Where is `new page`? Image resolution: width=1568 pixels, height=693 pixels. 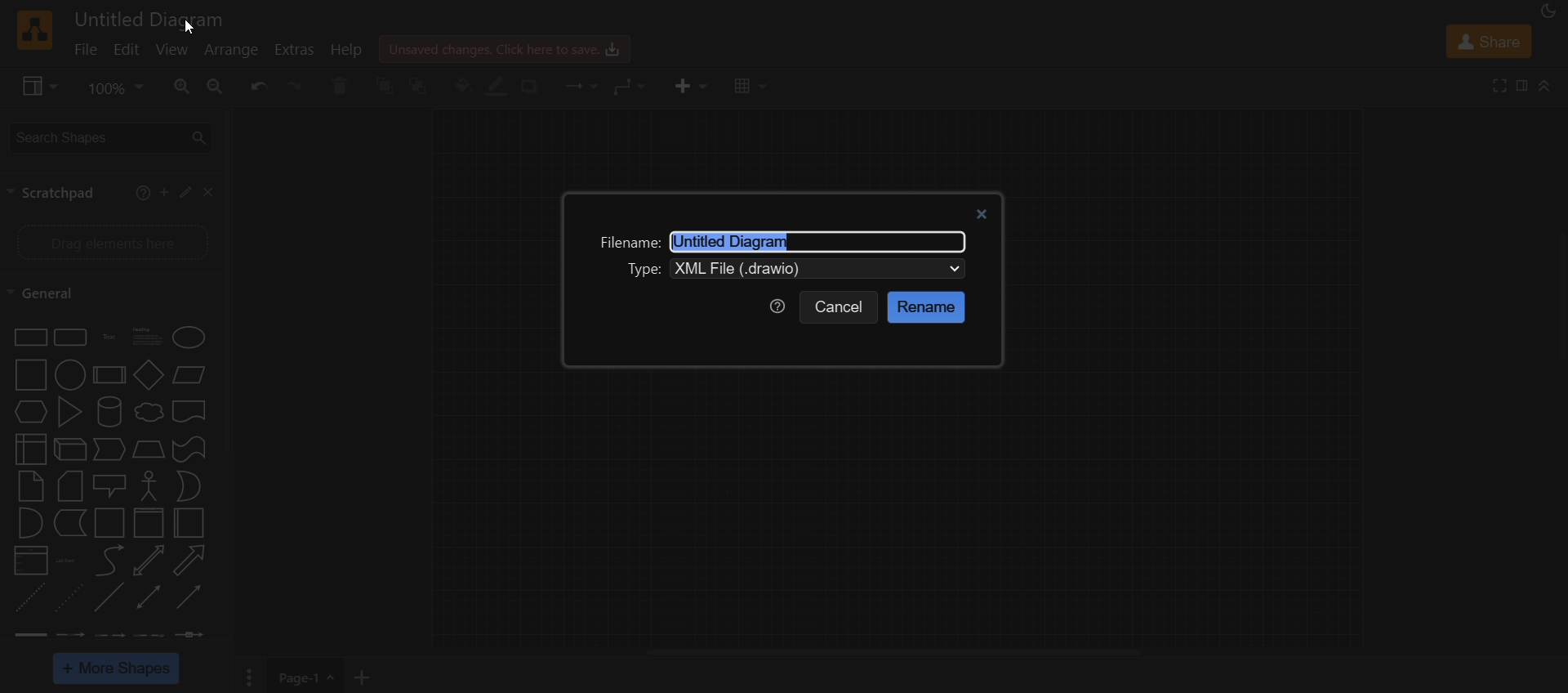 new page is located at coordinates (367, 675).